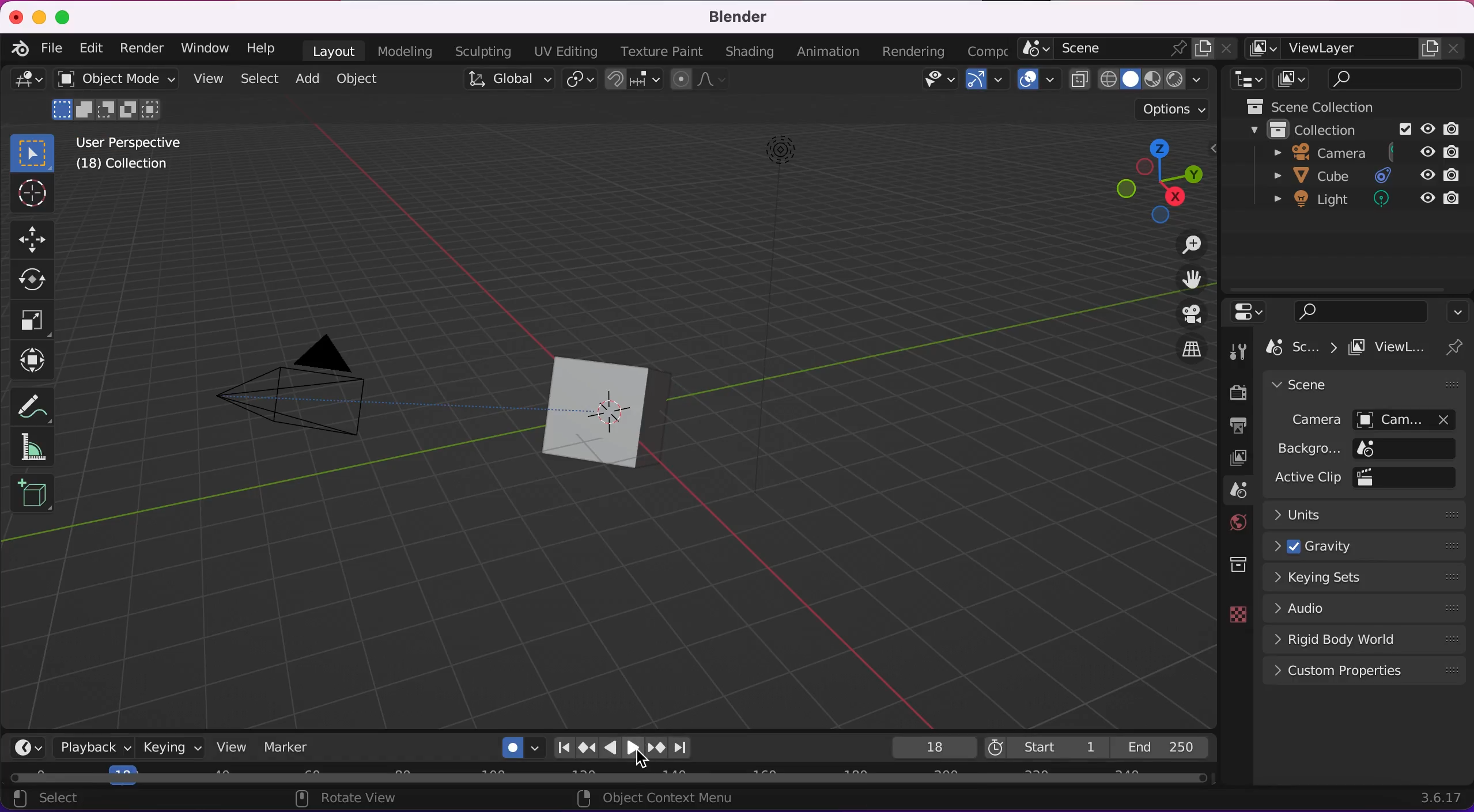 The width and height of the screenshot is (1474, 812). I want to click on user perspective (18) collection, so click(131, 154).